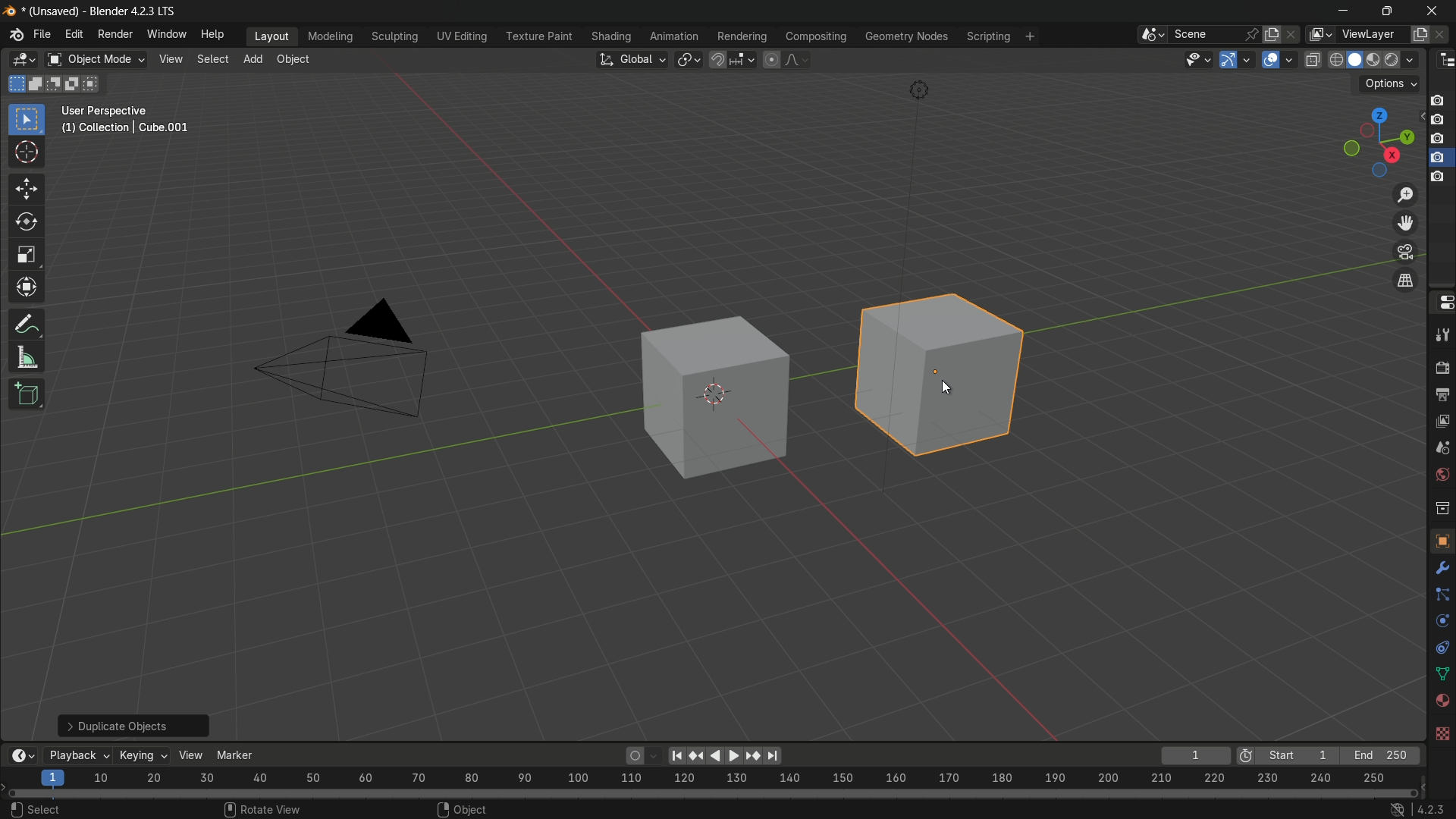  I want to click on Resize, so click(733, 808).